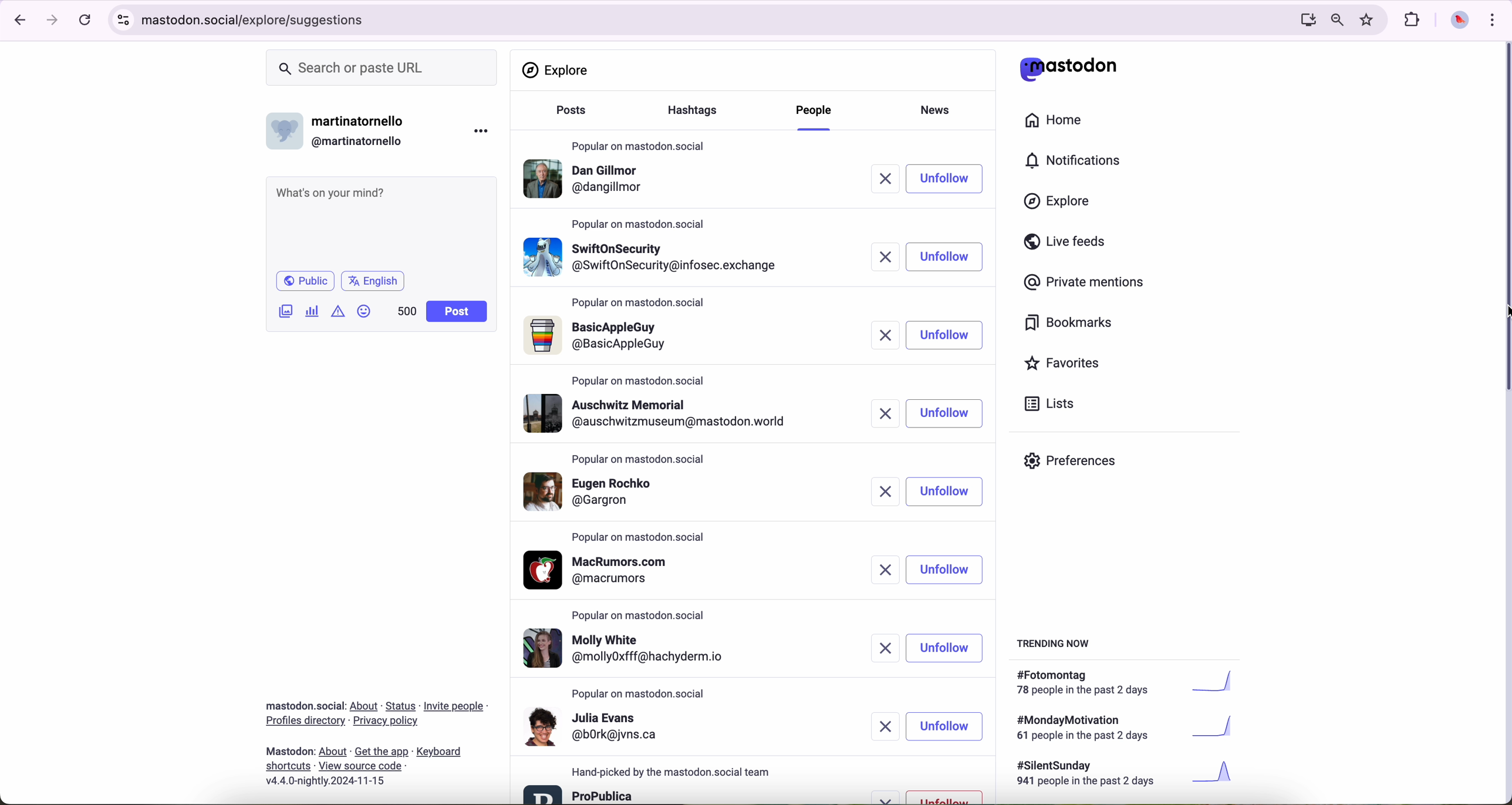  I want to click on hand-picked by the mastodon.social, so click(679, 772).